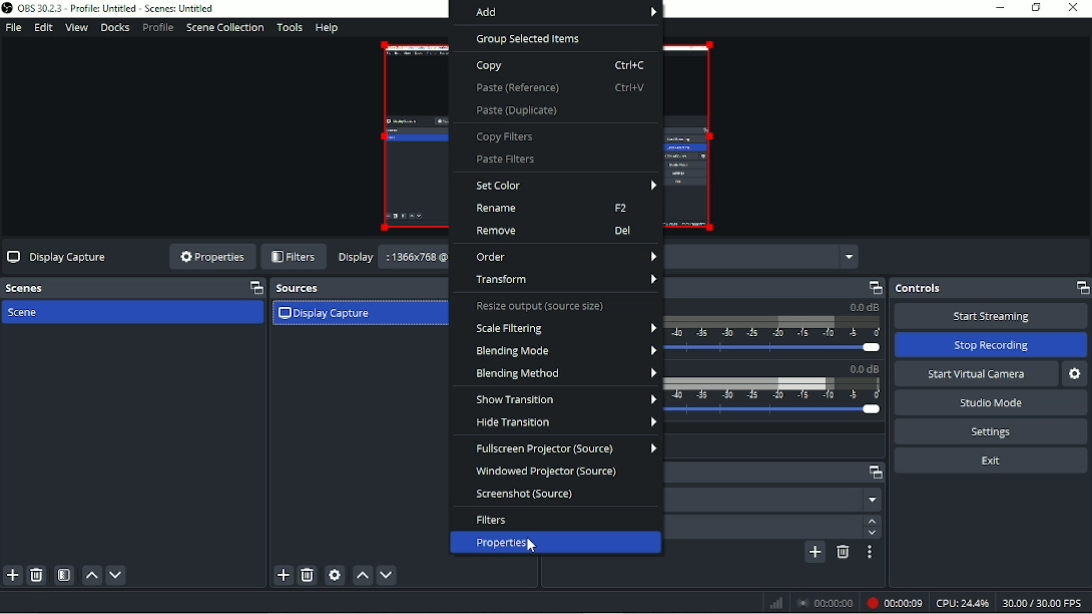 The width and height of the screenshot is (1092, 614). I want to click on Transition properties, so click(872, 553).